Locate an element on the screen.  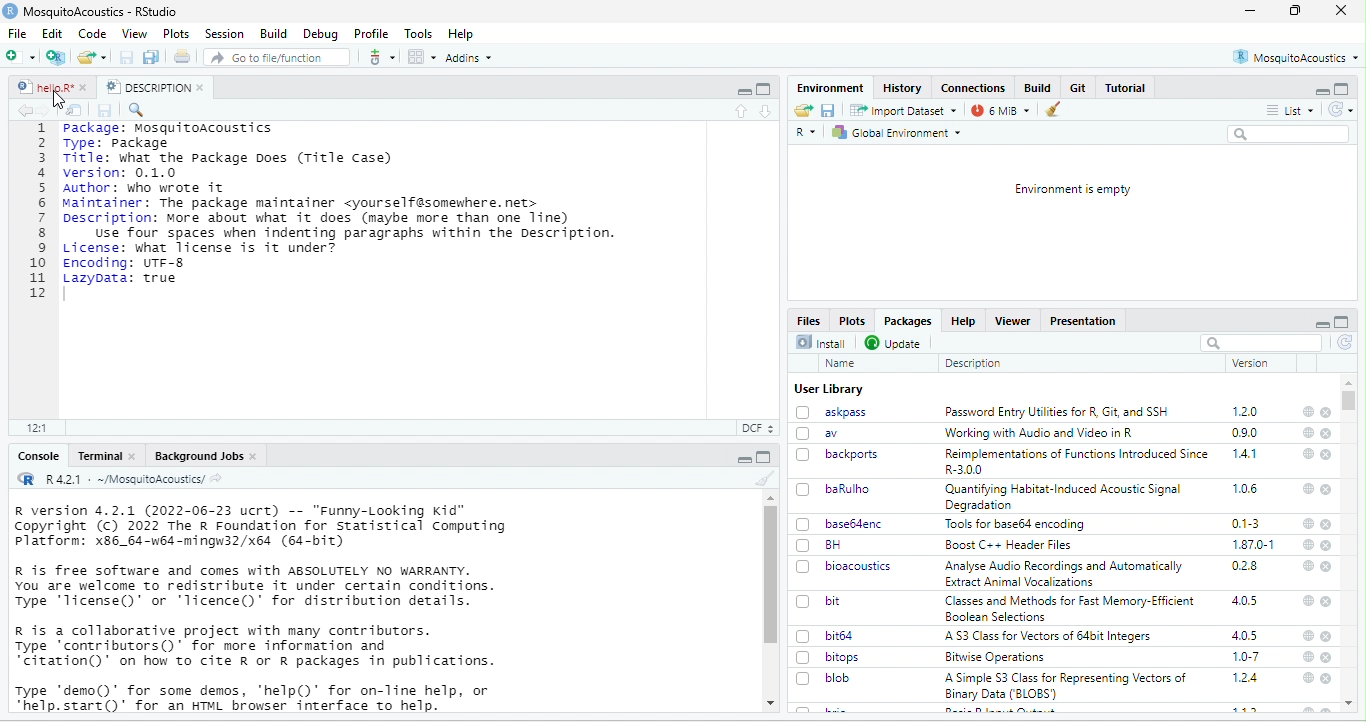
backports is located at coordinates (840, 454).